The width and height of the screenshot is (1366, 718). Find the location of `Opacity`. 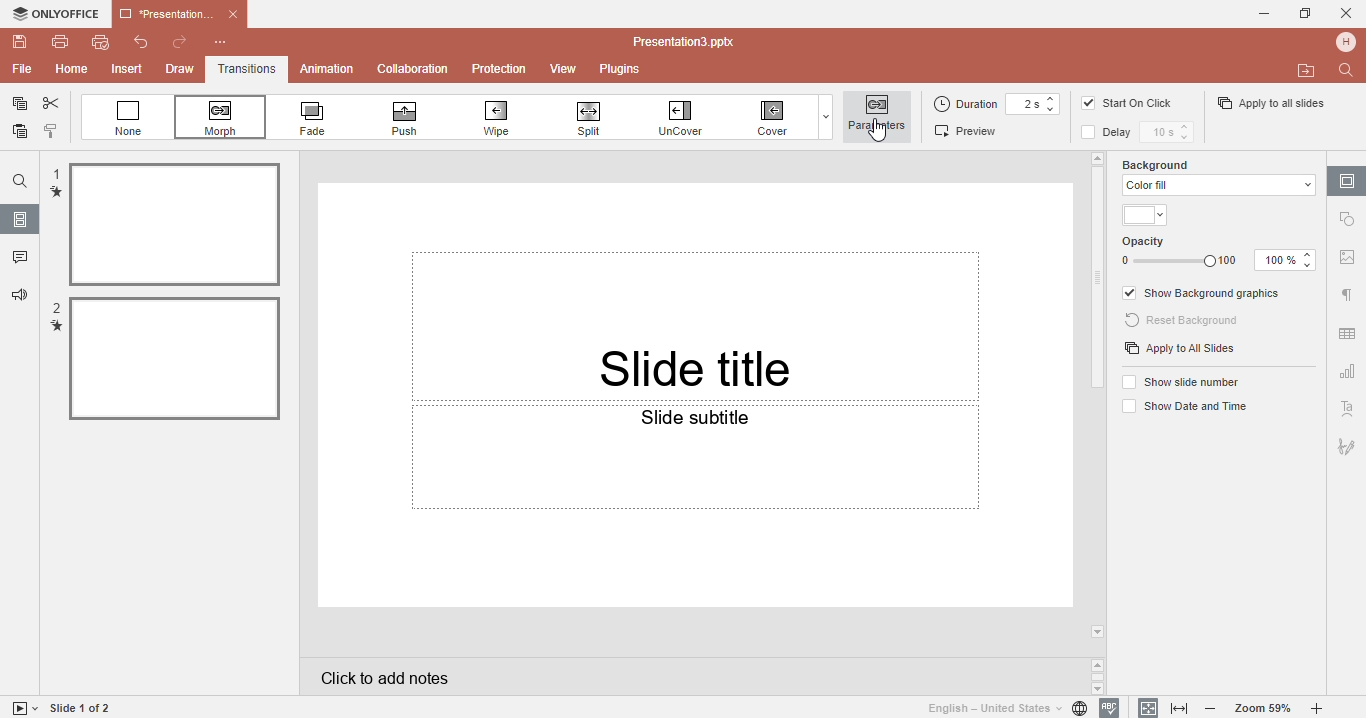

Opacity is located at coordinates (1220, 253).